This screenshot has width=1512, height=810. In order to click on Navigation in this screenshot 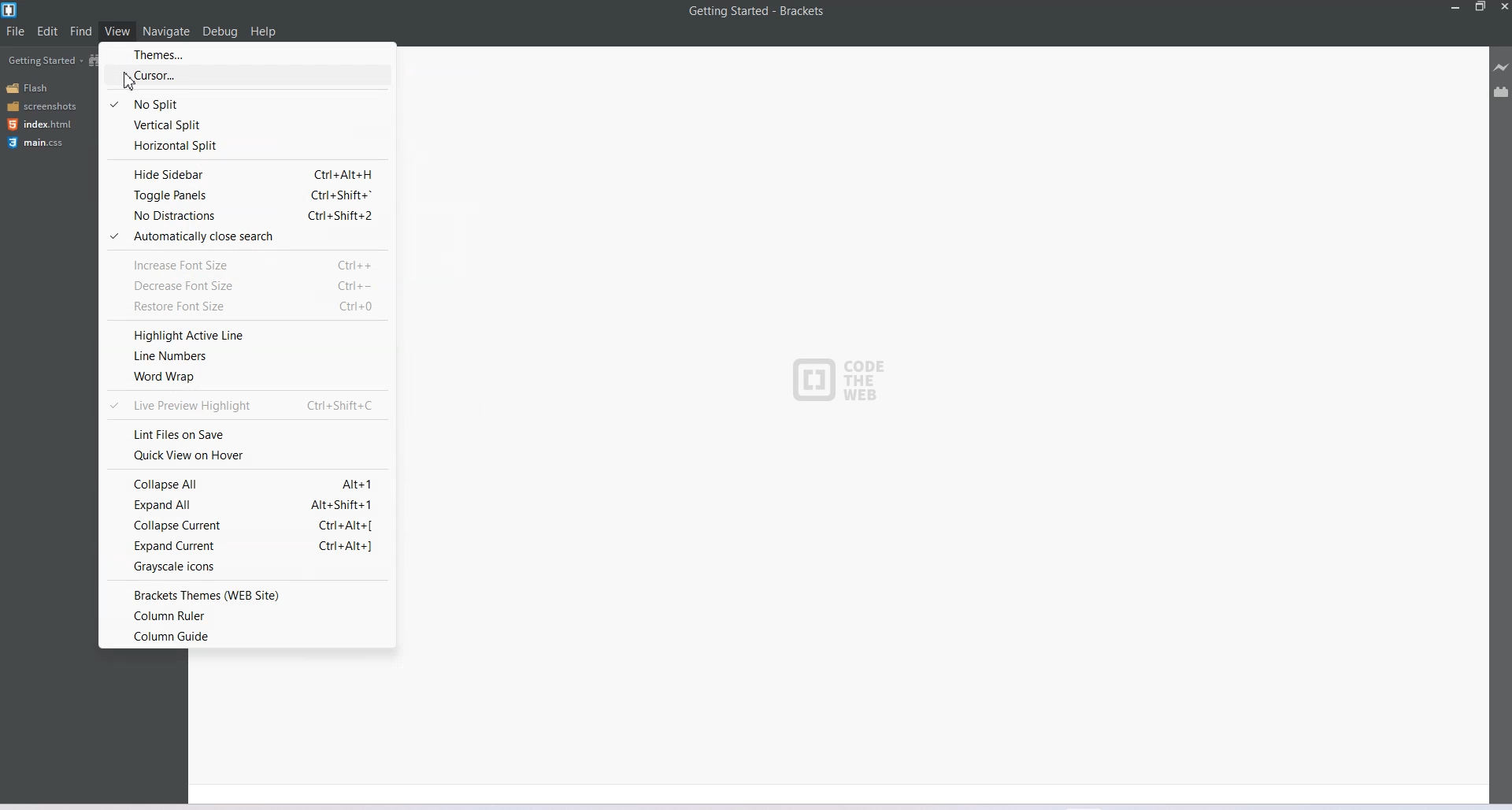, I will do `click(167, 31)`.